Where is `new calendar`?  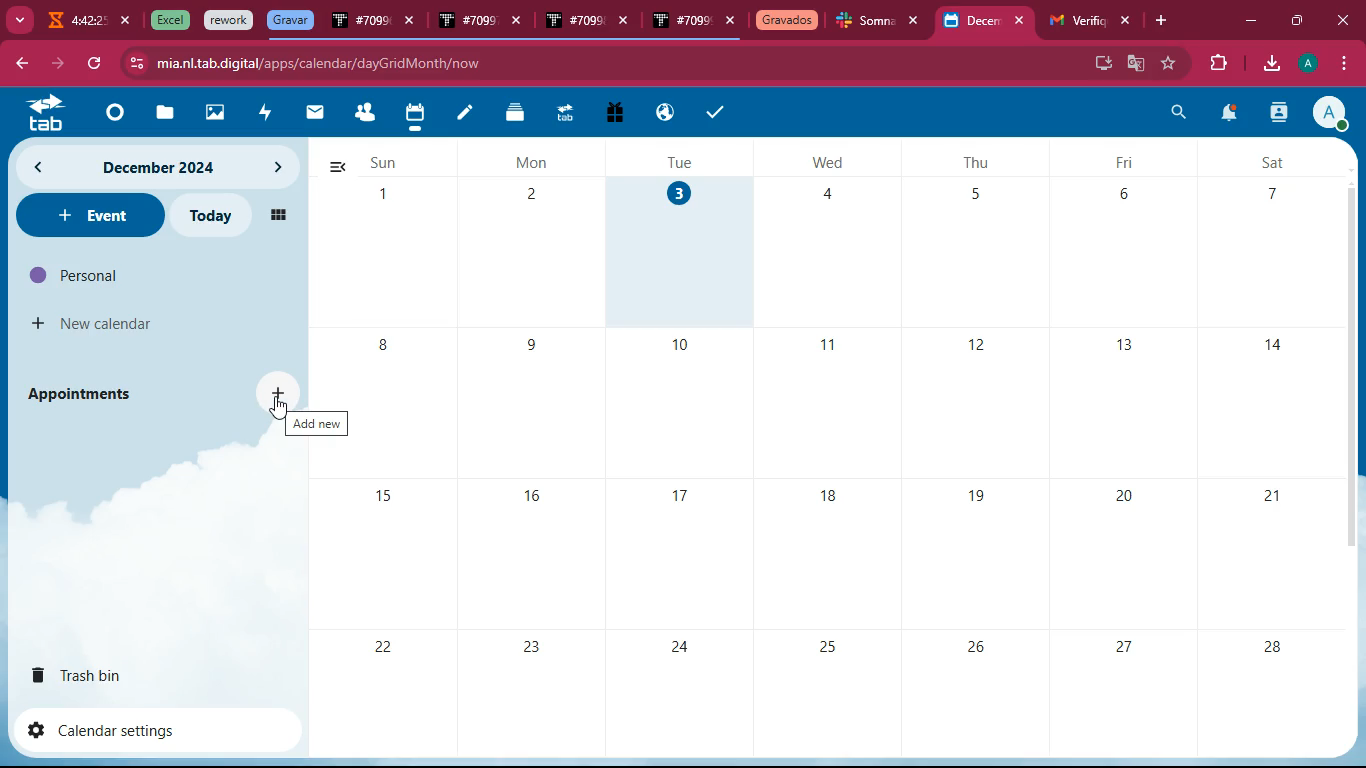 new calendar is located at coordinates (94, 324).